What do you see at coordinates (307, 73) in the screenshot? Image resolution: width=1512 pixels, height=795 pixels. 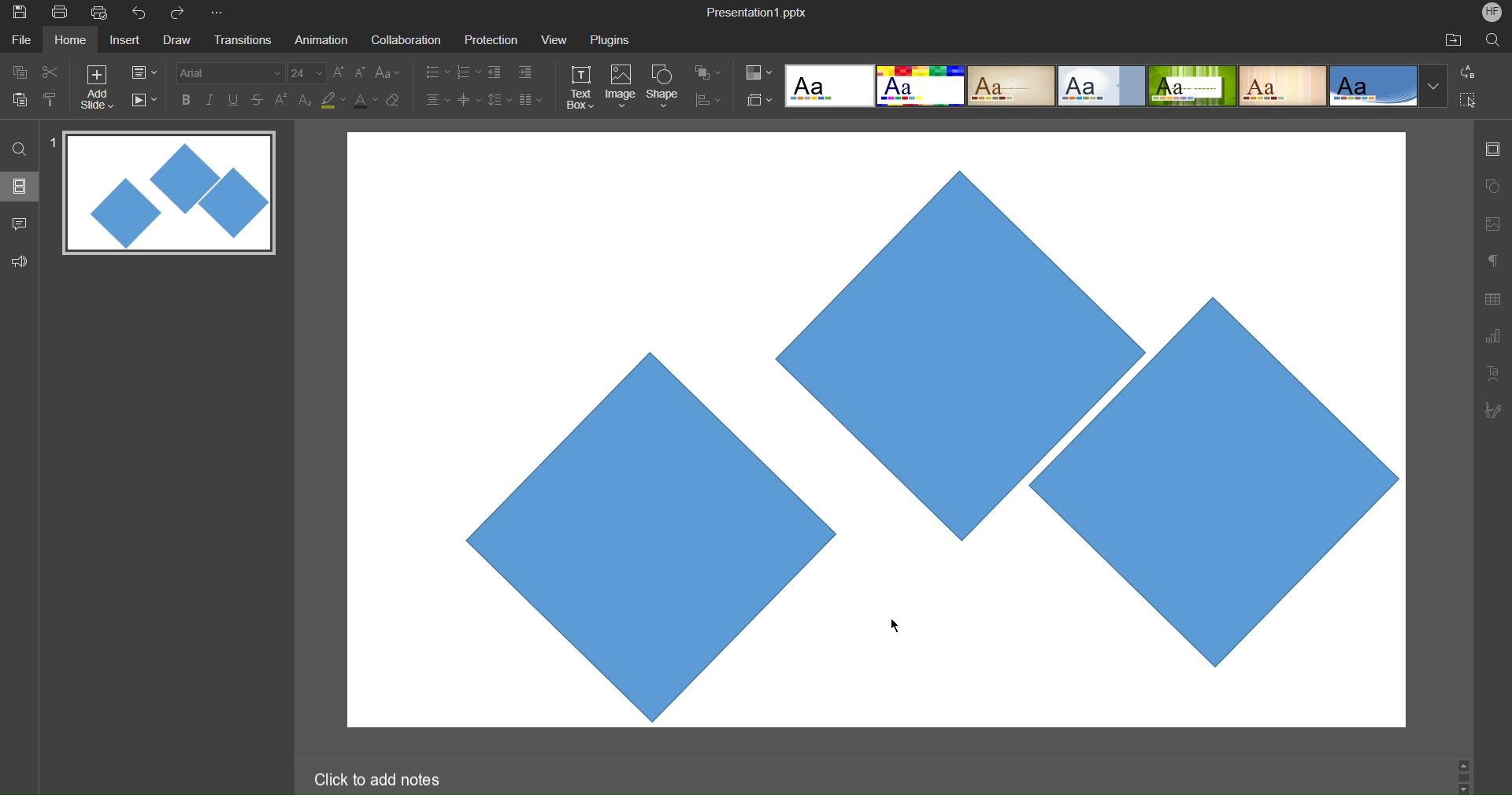 I see `Font Size` at bounding box center [307, 73].